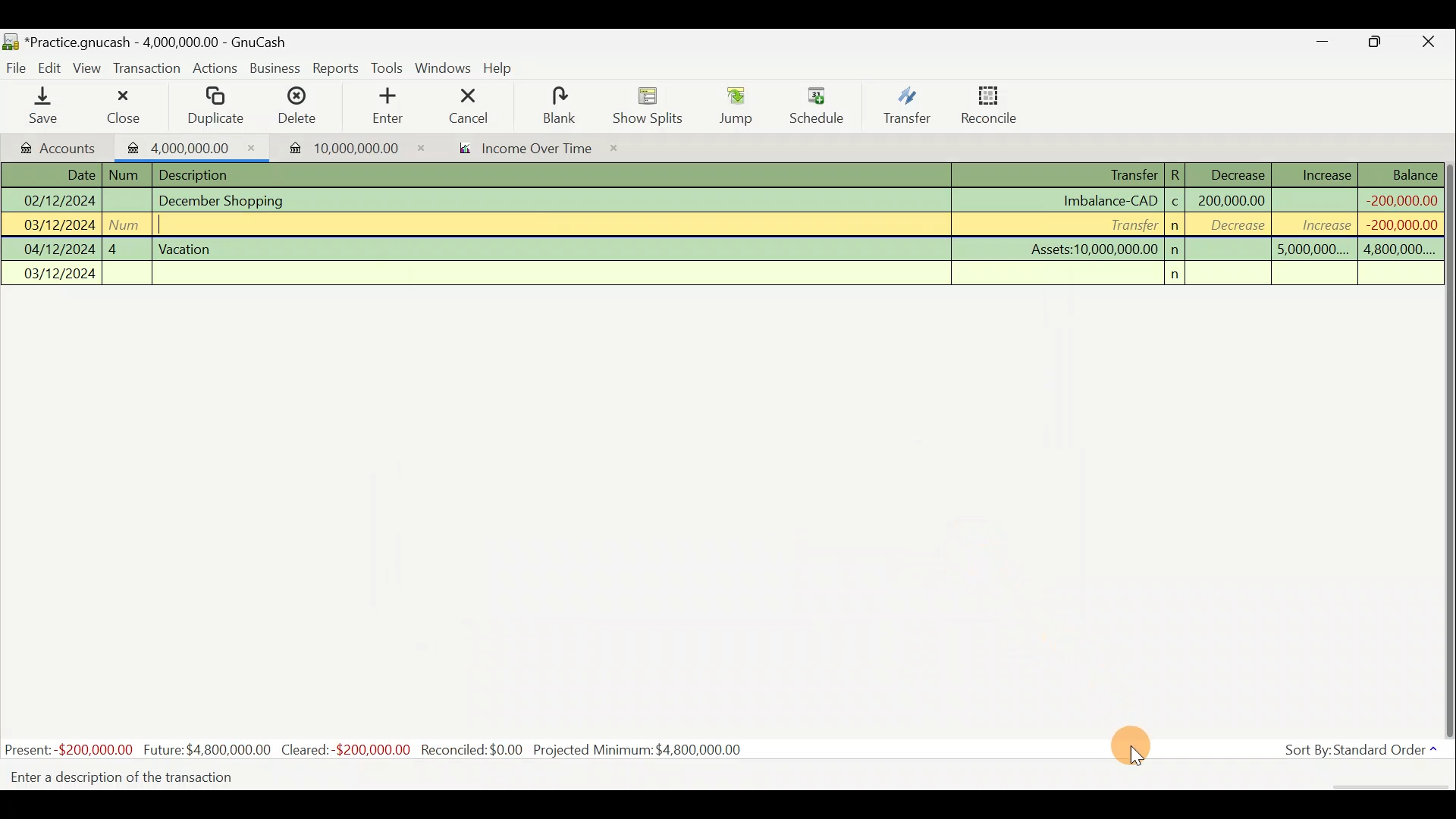  What do you see at coordinates (1109, 200) in the screenshot?
I see `Imbalance-CAD` at bounding box center [1109, 200].